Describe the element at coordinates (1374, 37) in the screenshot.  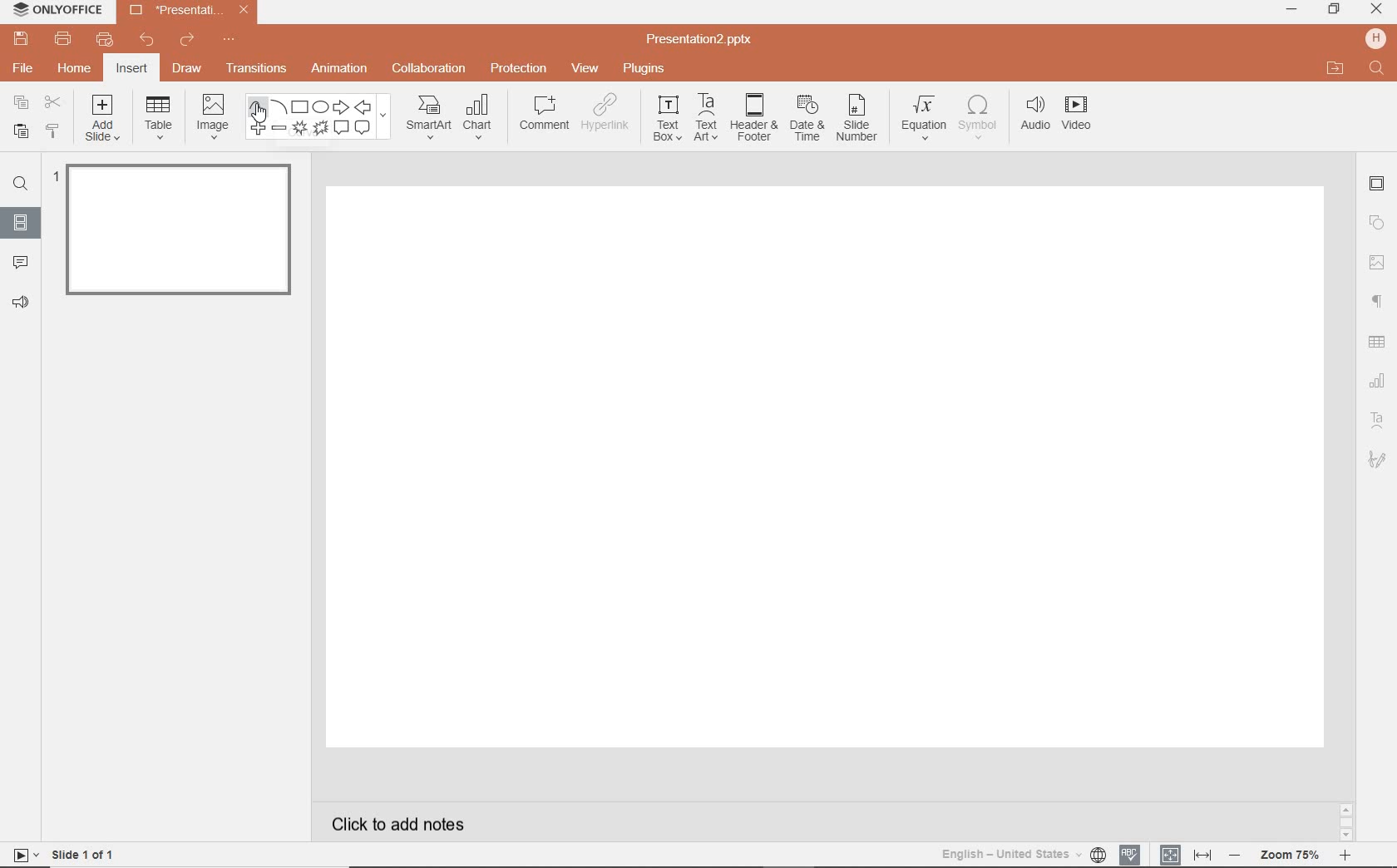
I see `HP` at that location.